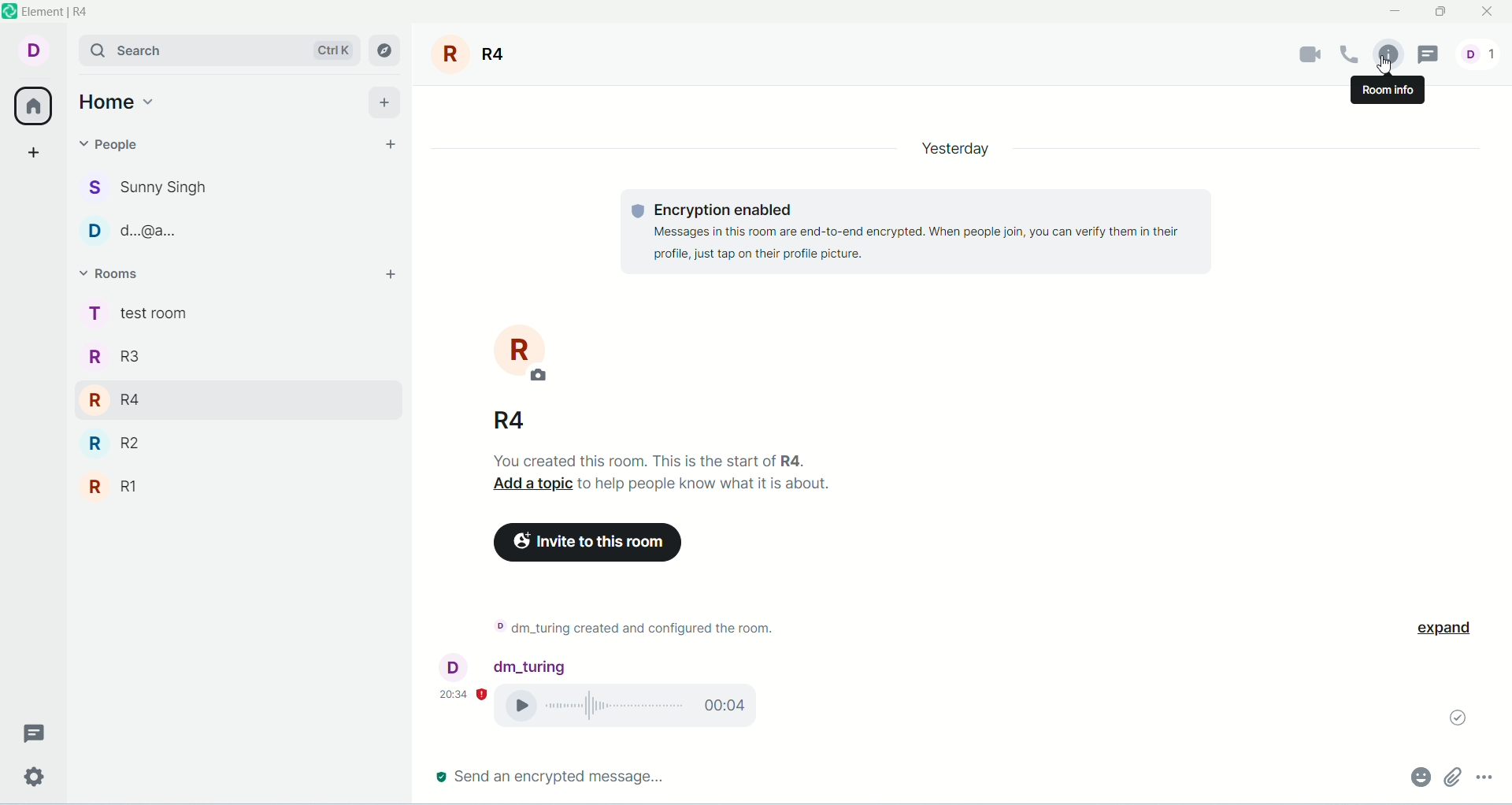 The height and width of the screenshot is (805, 1512). What do you see at coordinates (386, 145) in the screenshot?
I see `start chat` at bounding box center [386, 145].